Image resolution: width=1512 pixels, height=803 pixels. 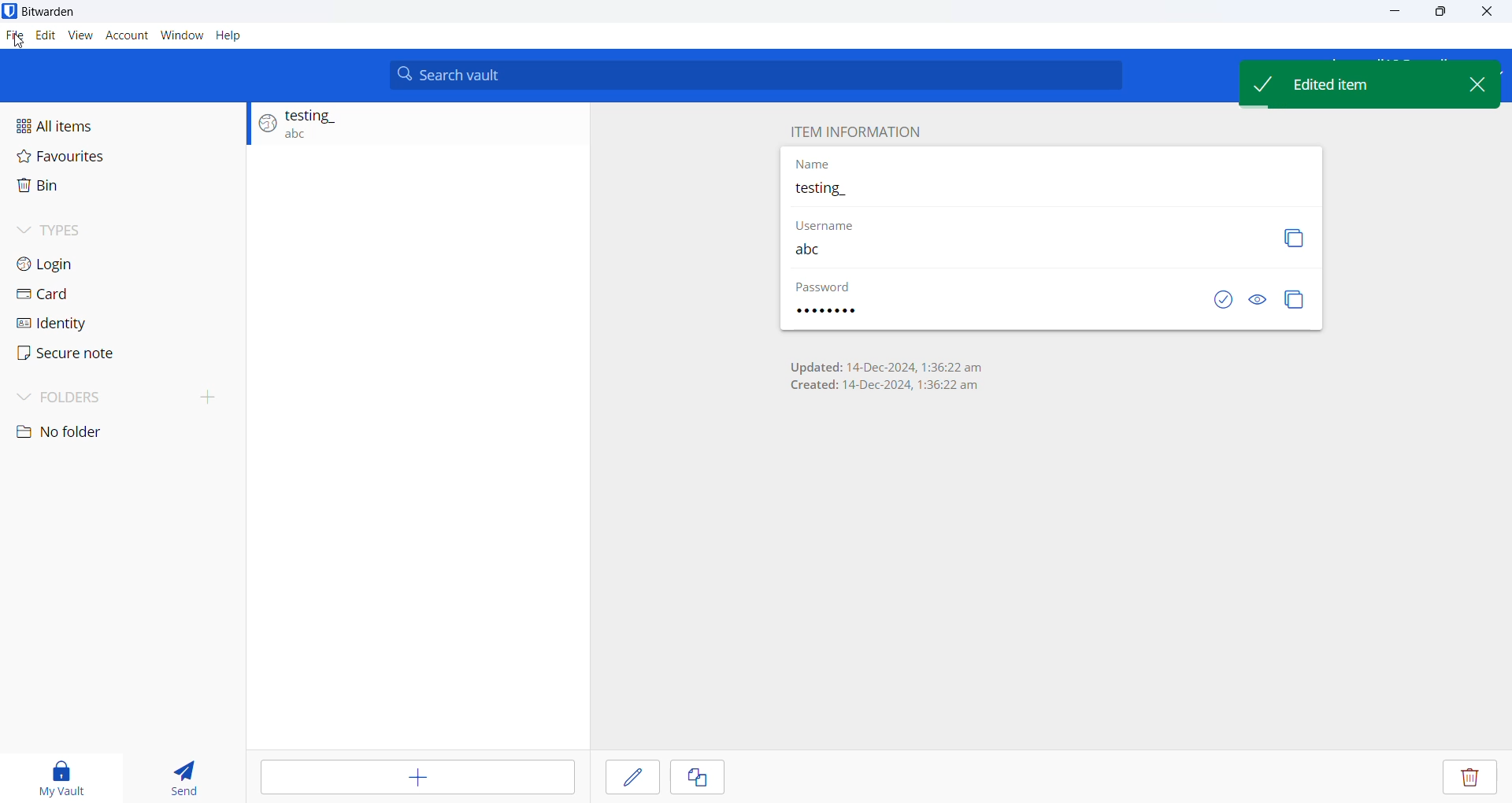 I want to click on Folders, so click(x=84, y=398).